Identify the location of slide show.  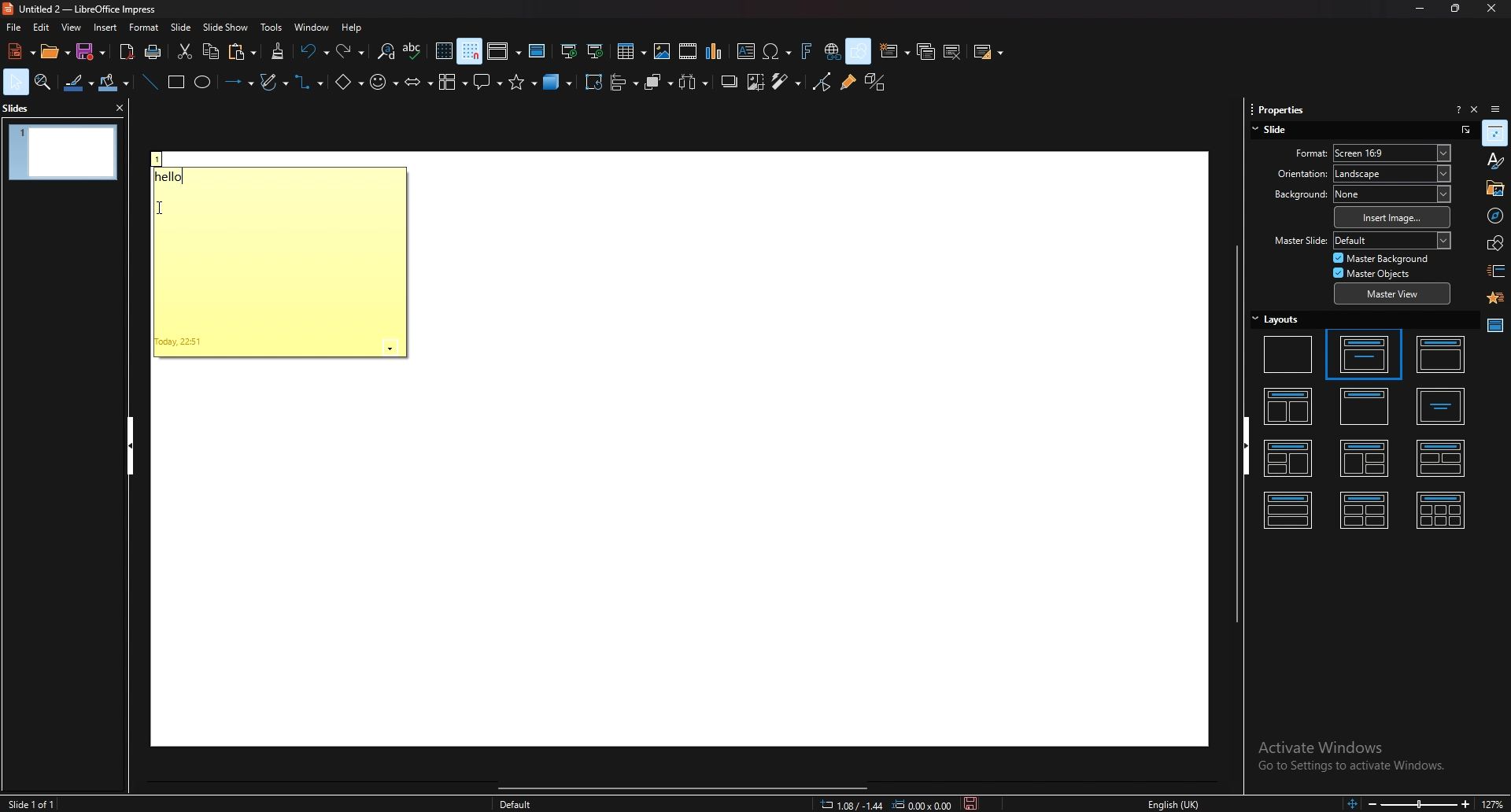
(227, 27).